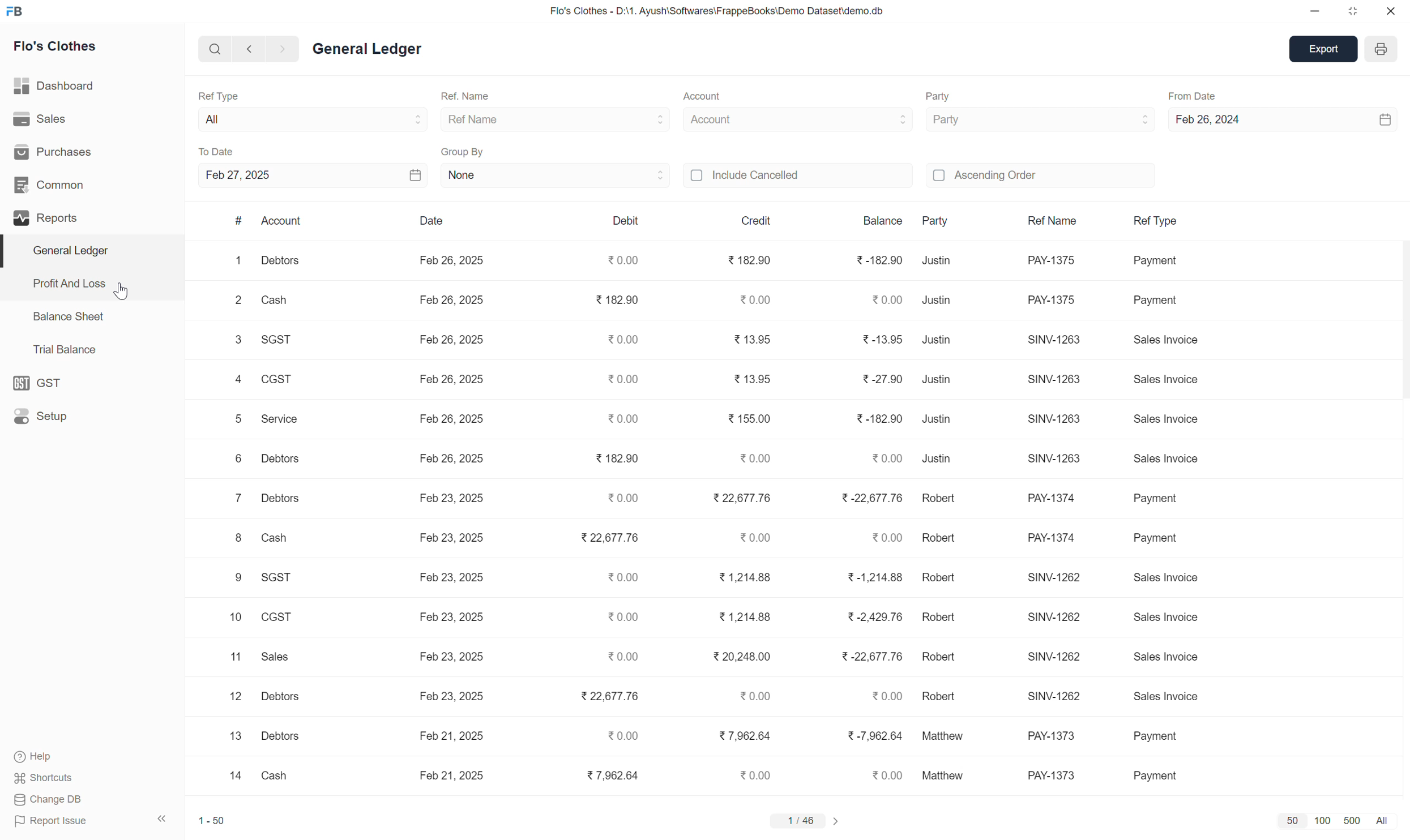 Image resolution: width=1410 pixels, height=840 pixels. I want to click on next, so click(282, 49).